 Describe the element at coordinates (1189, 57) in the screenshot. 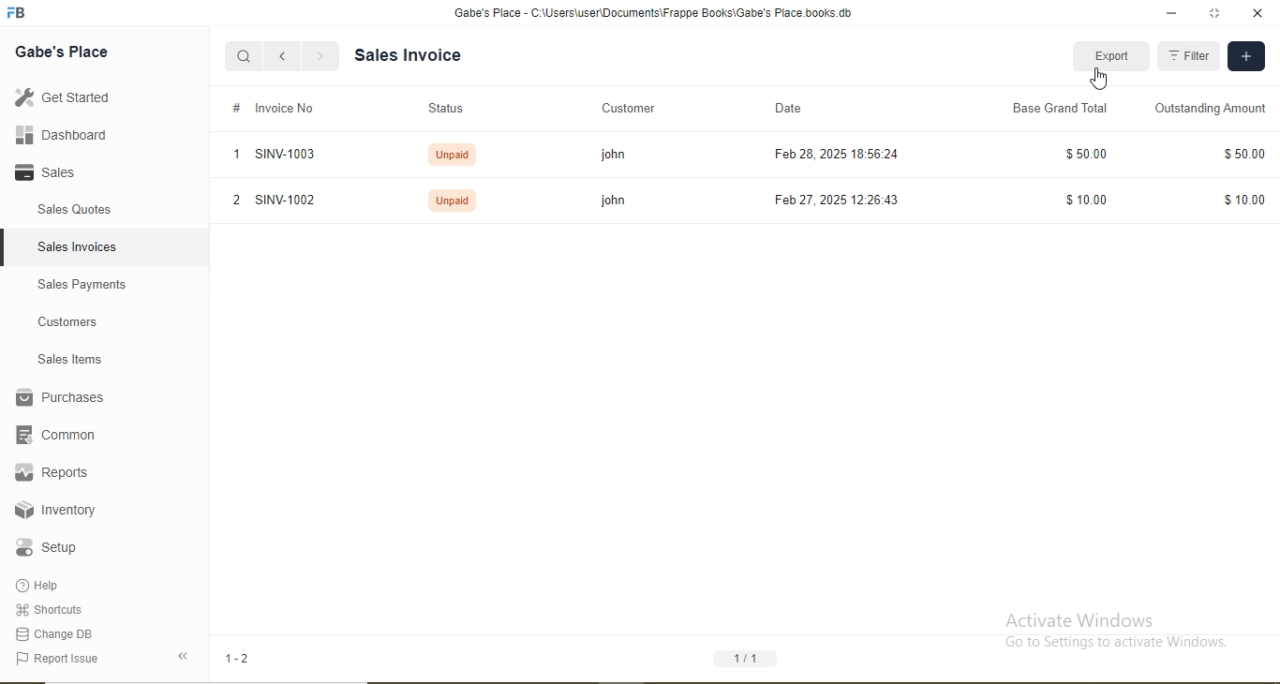

I see `= Filter` at that location.